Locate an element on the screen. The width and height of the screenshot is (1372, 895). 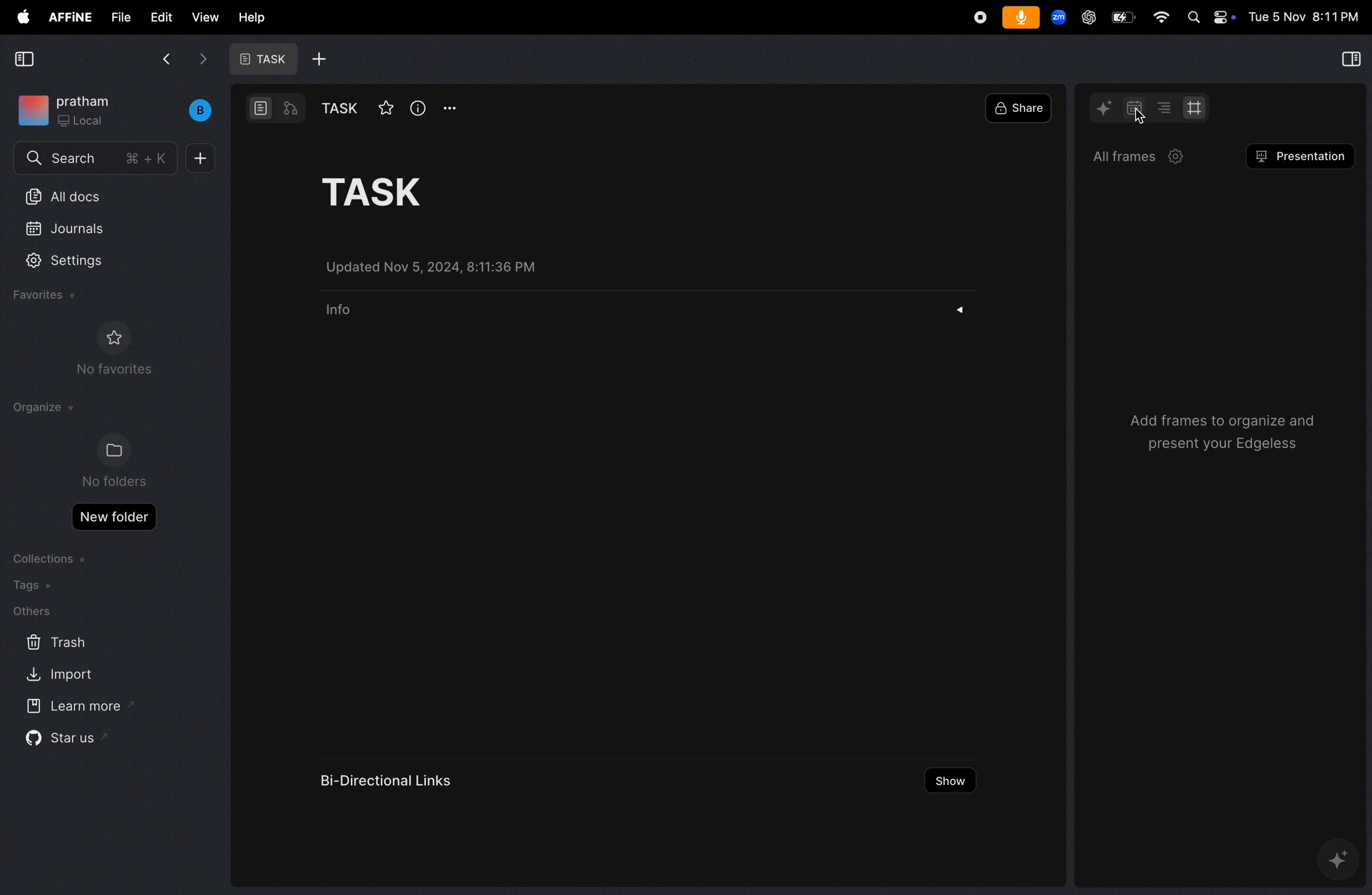
all docs is located at coordinates (97, 195).